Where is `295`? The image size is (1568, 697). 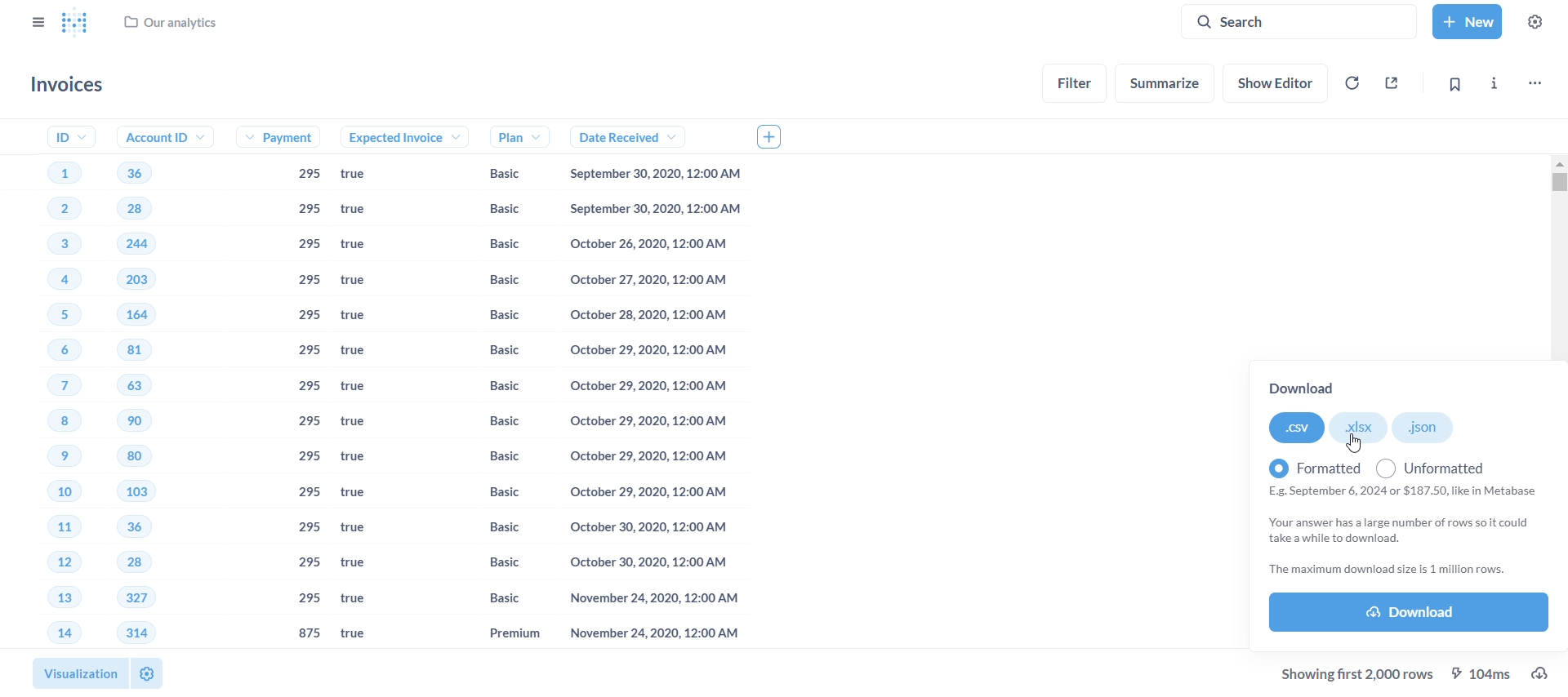
295 is located at coordinates (307, 282).